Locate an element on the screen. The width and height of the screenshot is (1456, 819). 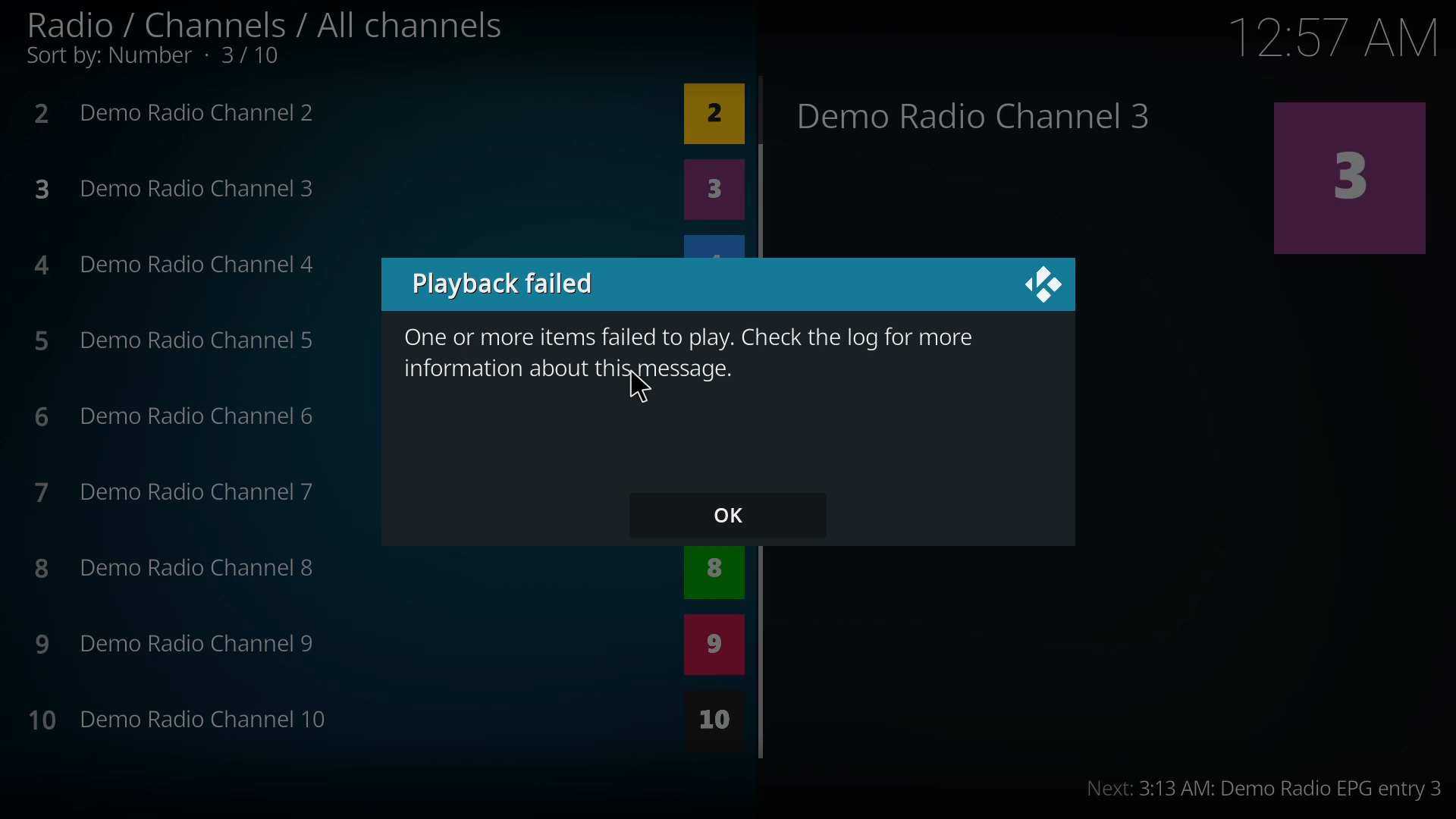
Radio / Channels / All channels is located at coordinates (265, 22).